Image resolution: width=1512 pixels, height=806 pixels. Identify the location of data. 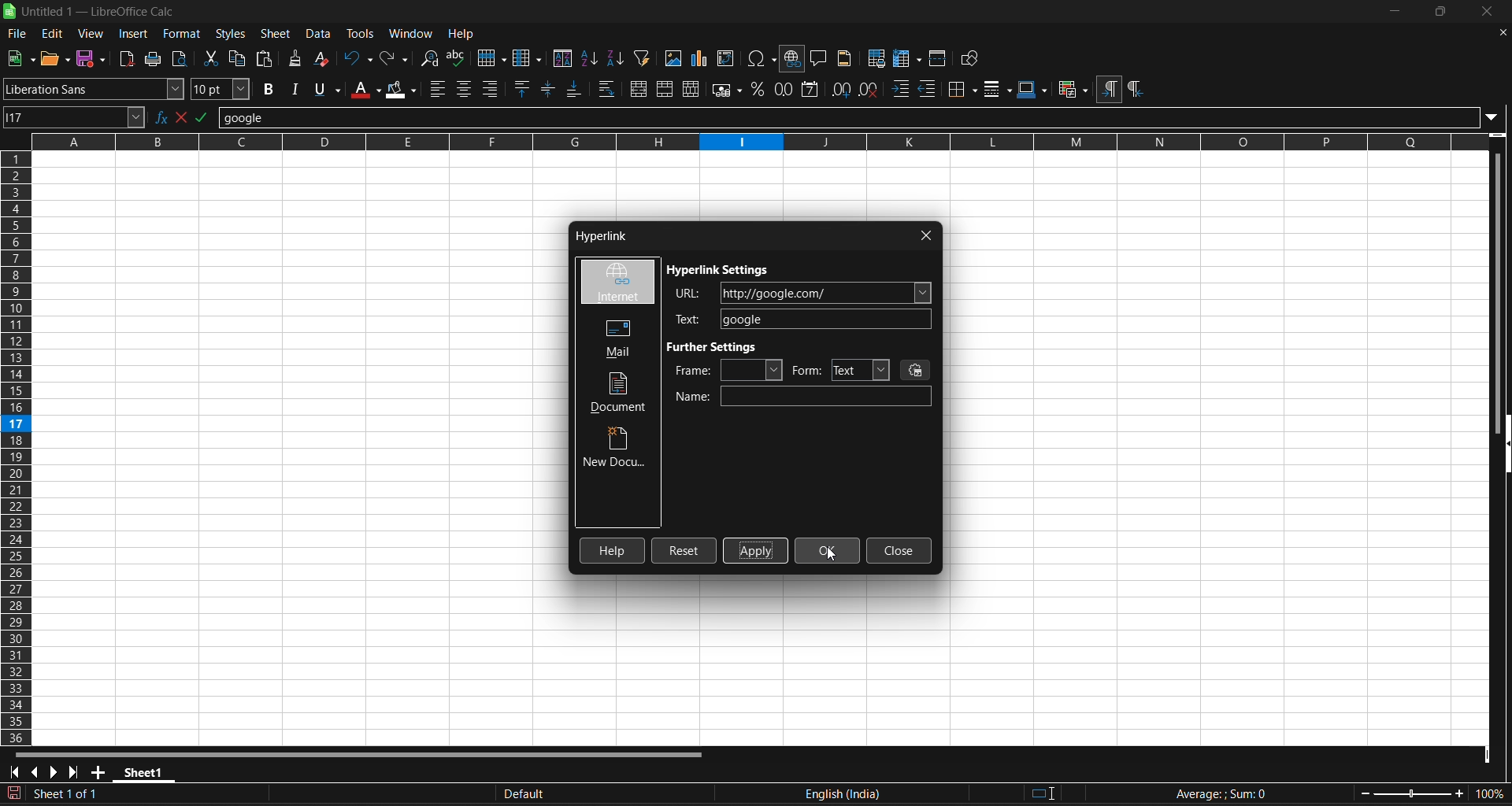
(321, 34).